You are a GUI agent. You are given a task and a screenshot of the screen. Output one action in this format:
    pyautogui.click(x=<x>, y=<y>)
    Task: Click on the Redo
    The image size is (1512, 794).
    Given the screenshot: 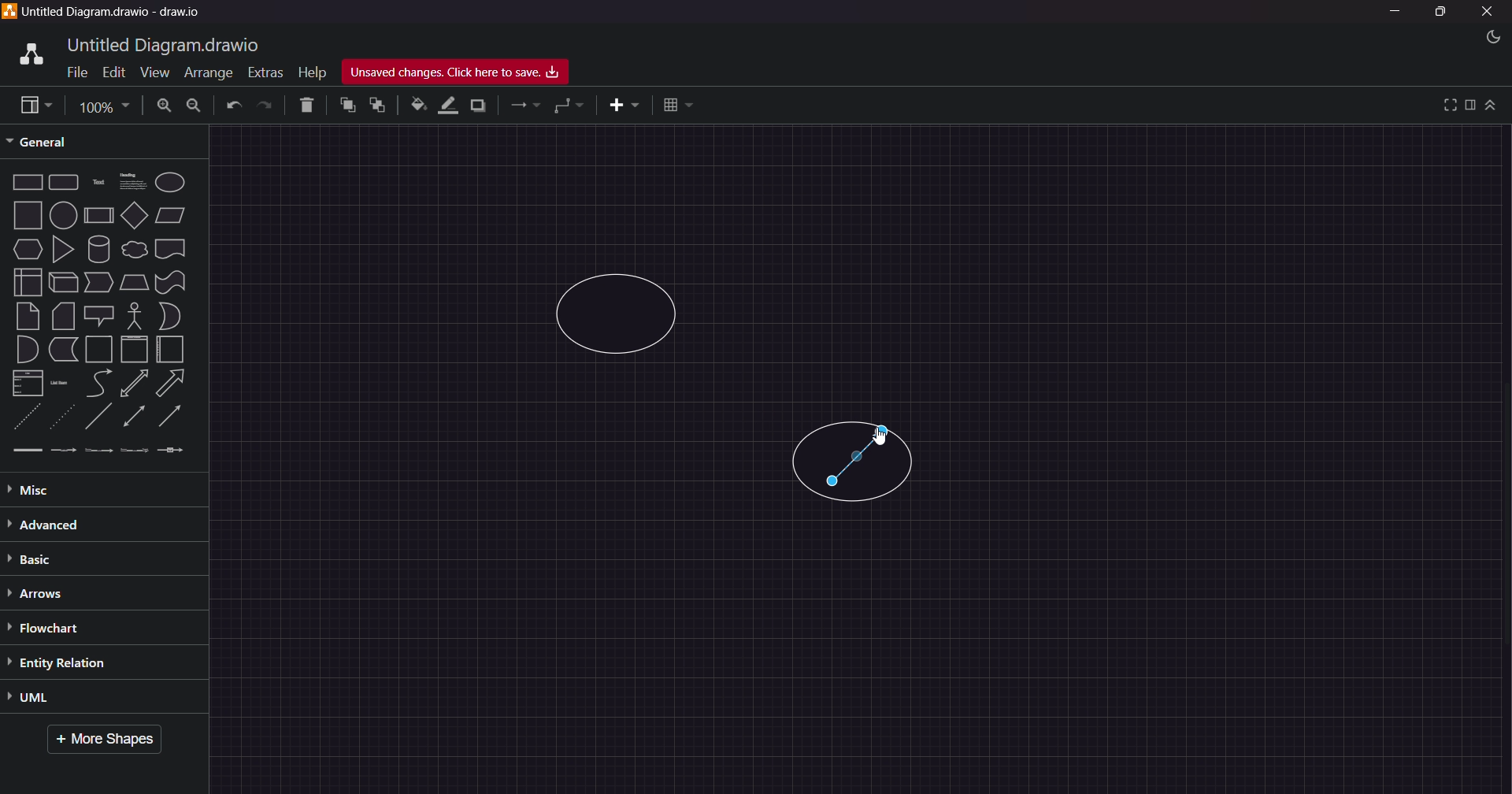 What is the action you would take?
    pyautogui.click(x=267, y=106)
    